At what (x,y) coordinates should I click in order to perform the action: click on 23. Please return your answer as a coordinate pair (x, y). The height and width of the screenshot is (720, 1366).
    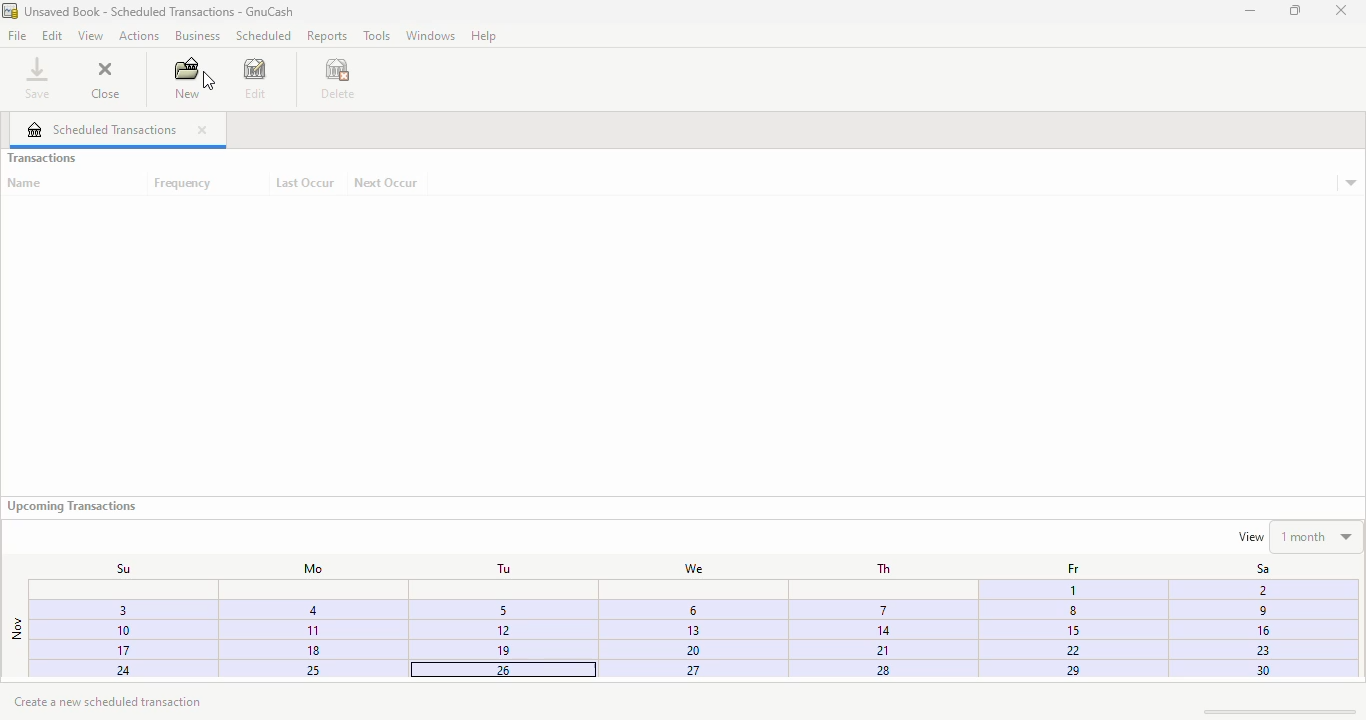
    Looking at the image, I should click on (1260, 650).